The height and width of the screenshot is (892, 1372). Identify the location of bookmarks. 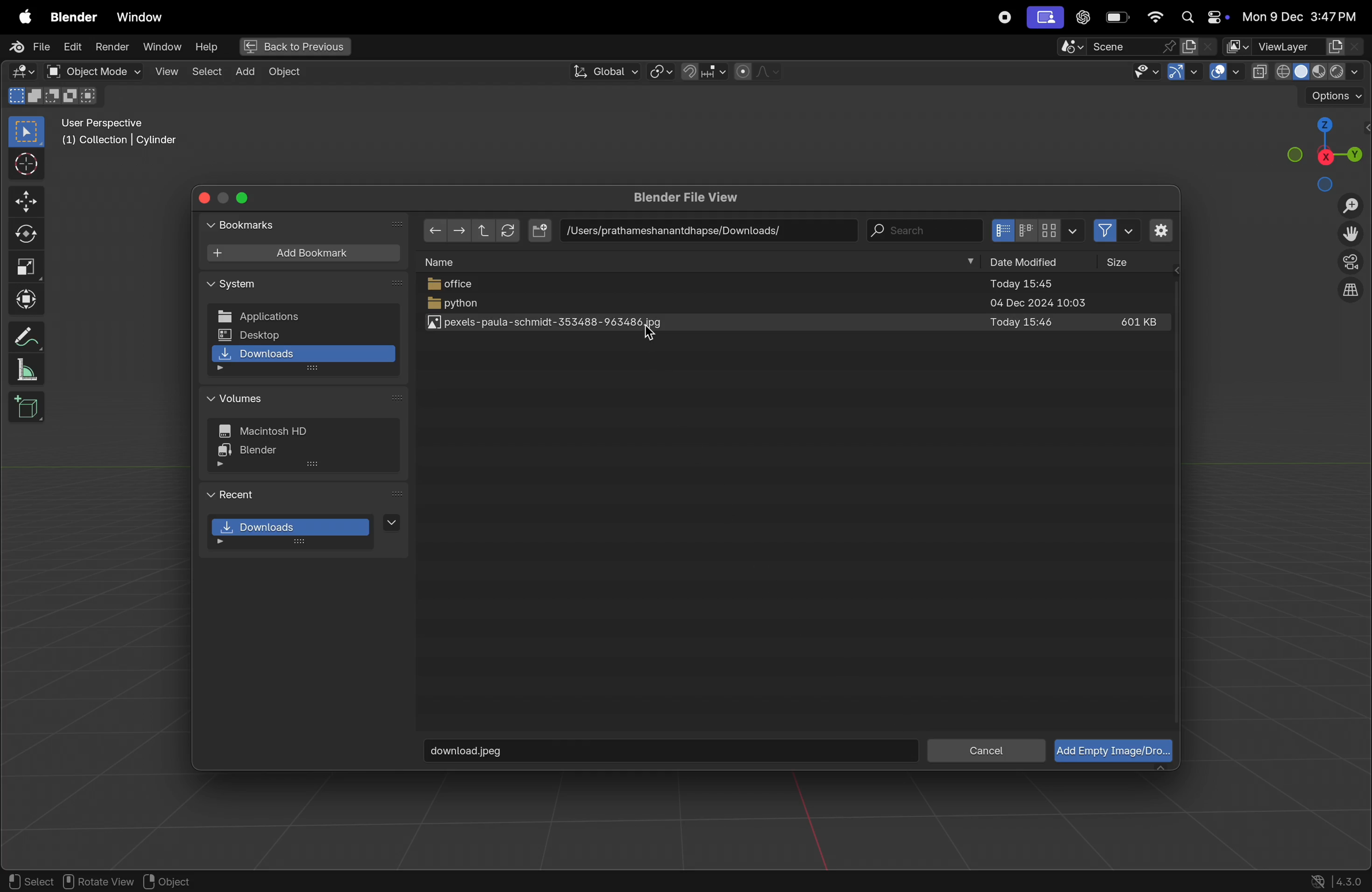
(244, 225).